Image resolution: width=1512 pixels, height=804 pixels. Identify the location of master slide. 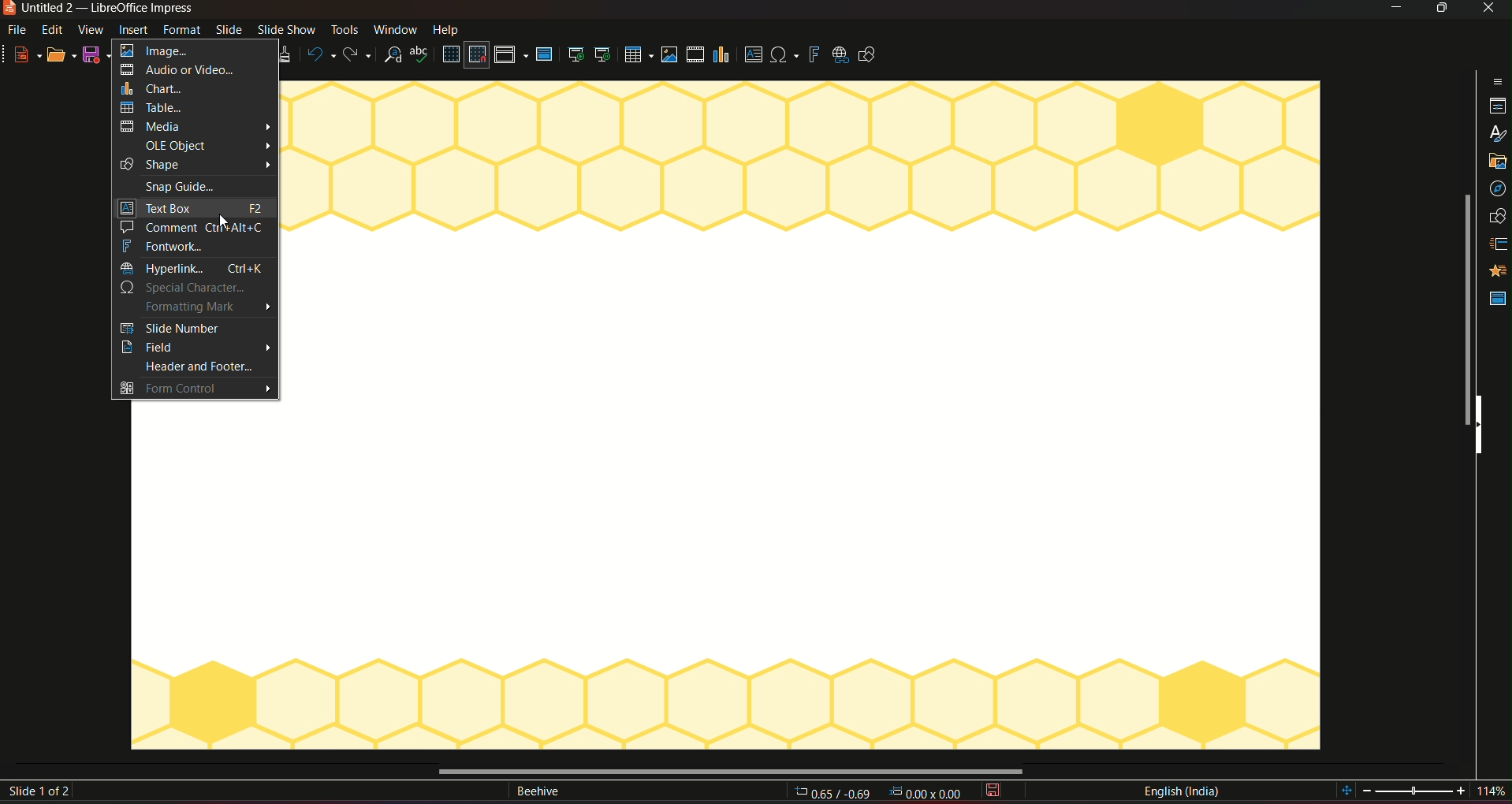
(1496, 297).